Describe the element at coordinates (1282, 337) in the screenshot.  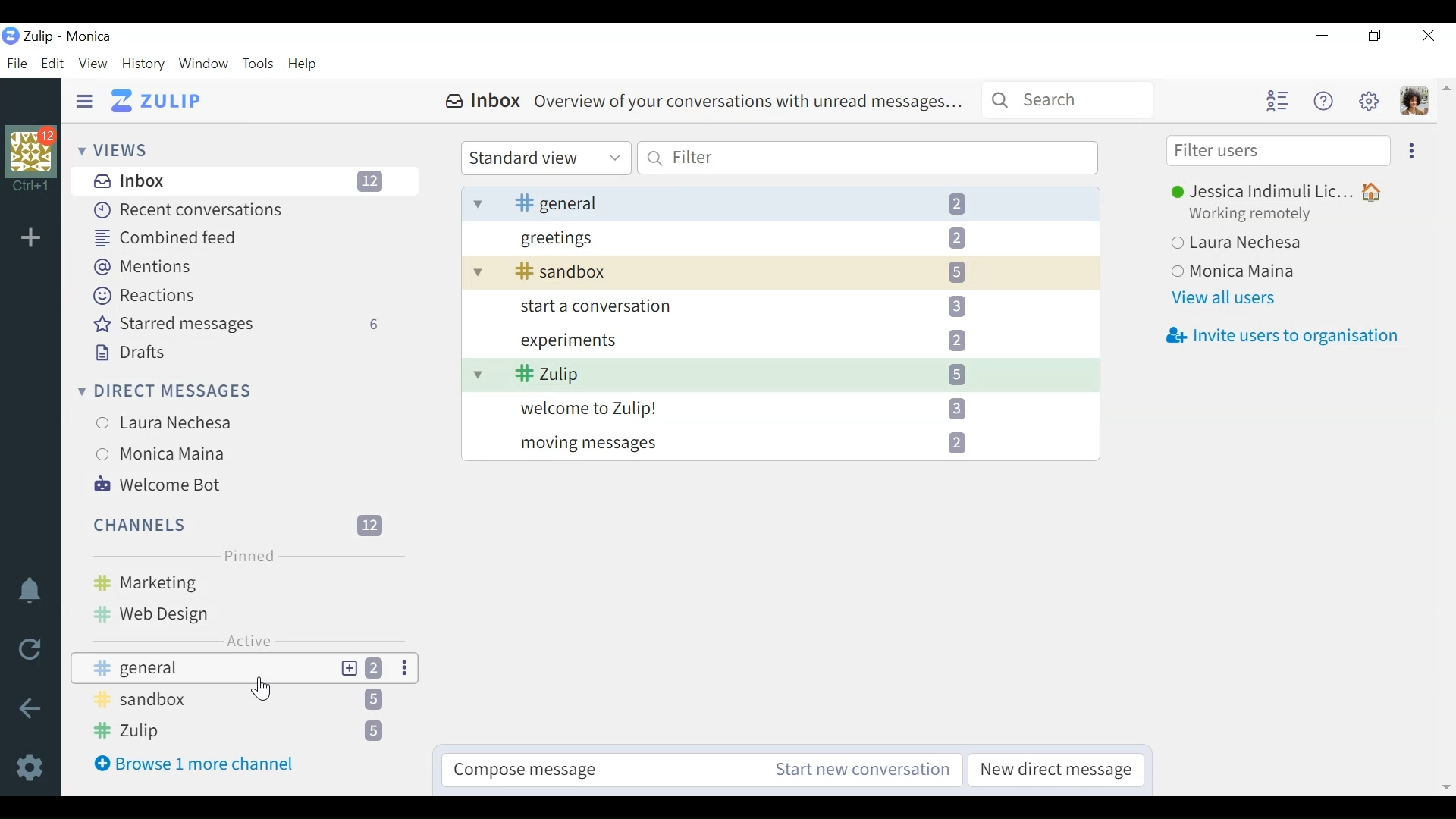
I see `Invite users to organisation` at that location.